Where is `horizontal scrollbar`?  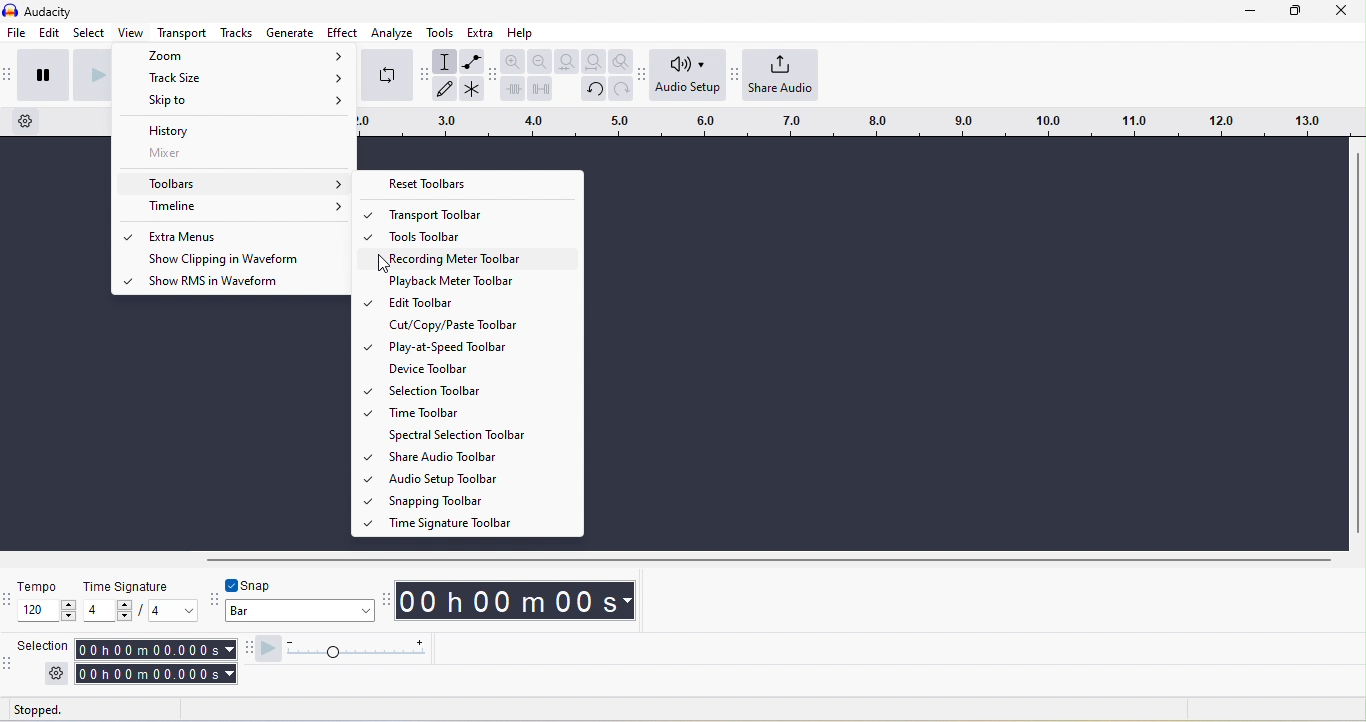
horizontal scrollbar is located at coordinates (769, 561).